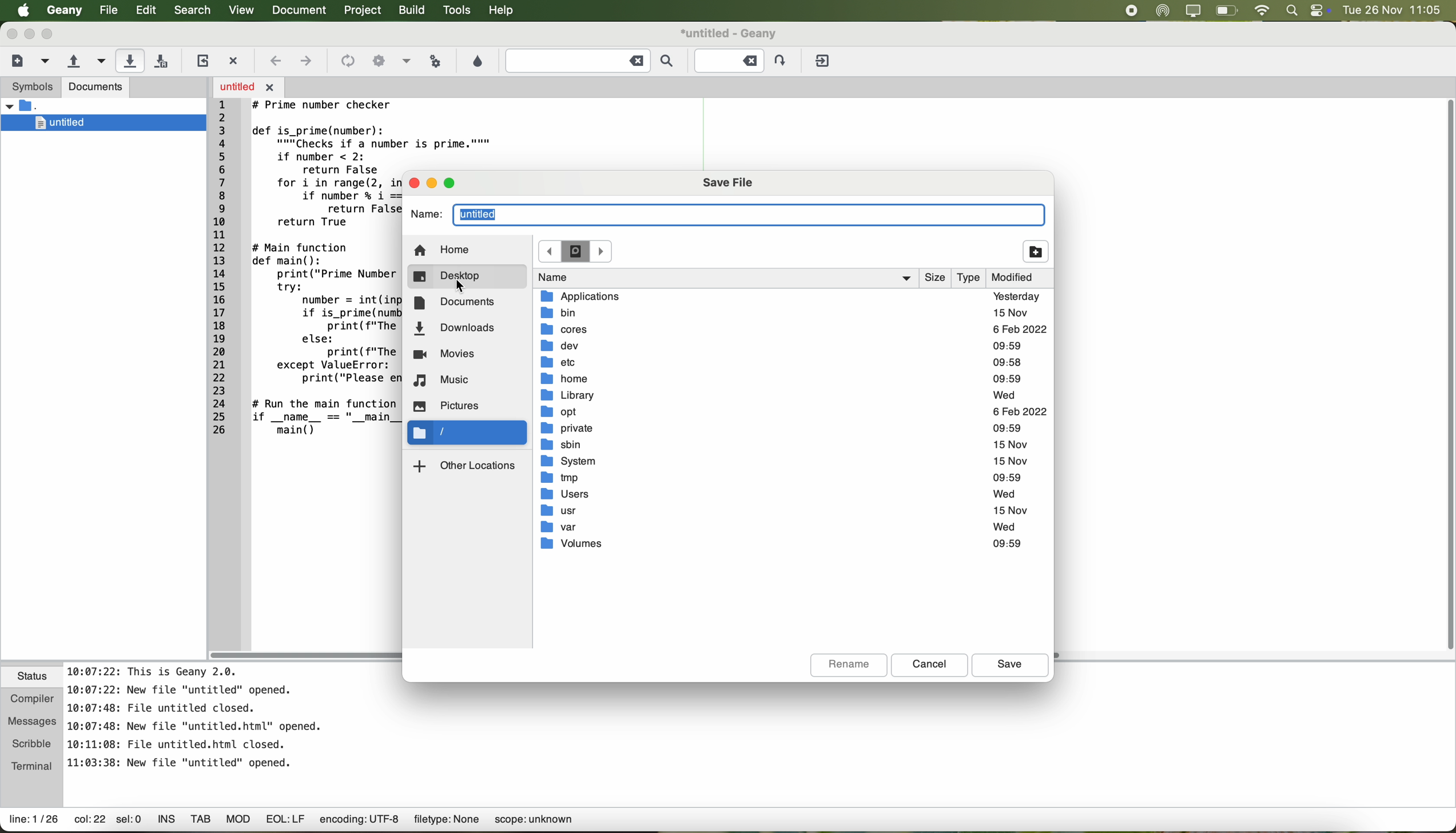 This screenshot has height=833, width=1456. Describe the element at coordinates (307, 656) in the screenshot. I see `scroll bar` at that location.